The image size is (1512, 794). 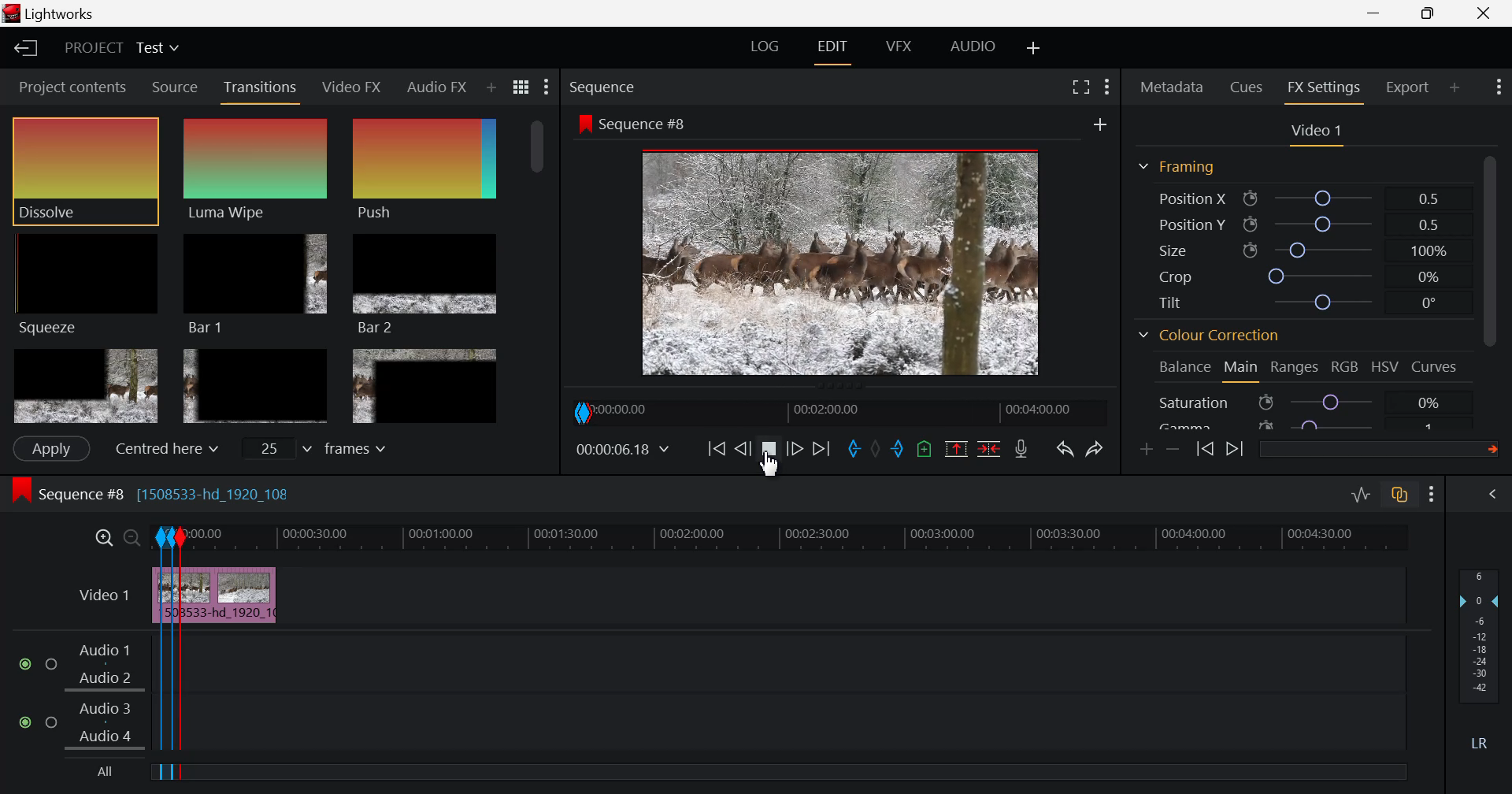 What do you see at coordinates (185, 655) in the screenshot?
I see `Segment Out Mark` at bounding box center [185, 655].